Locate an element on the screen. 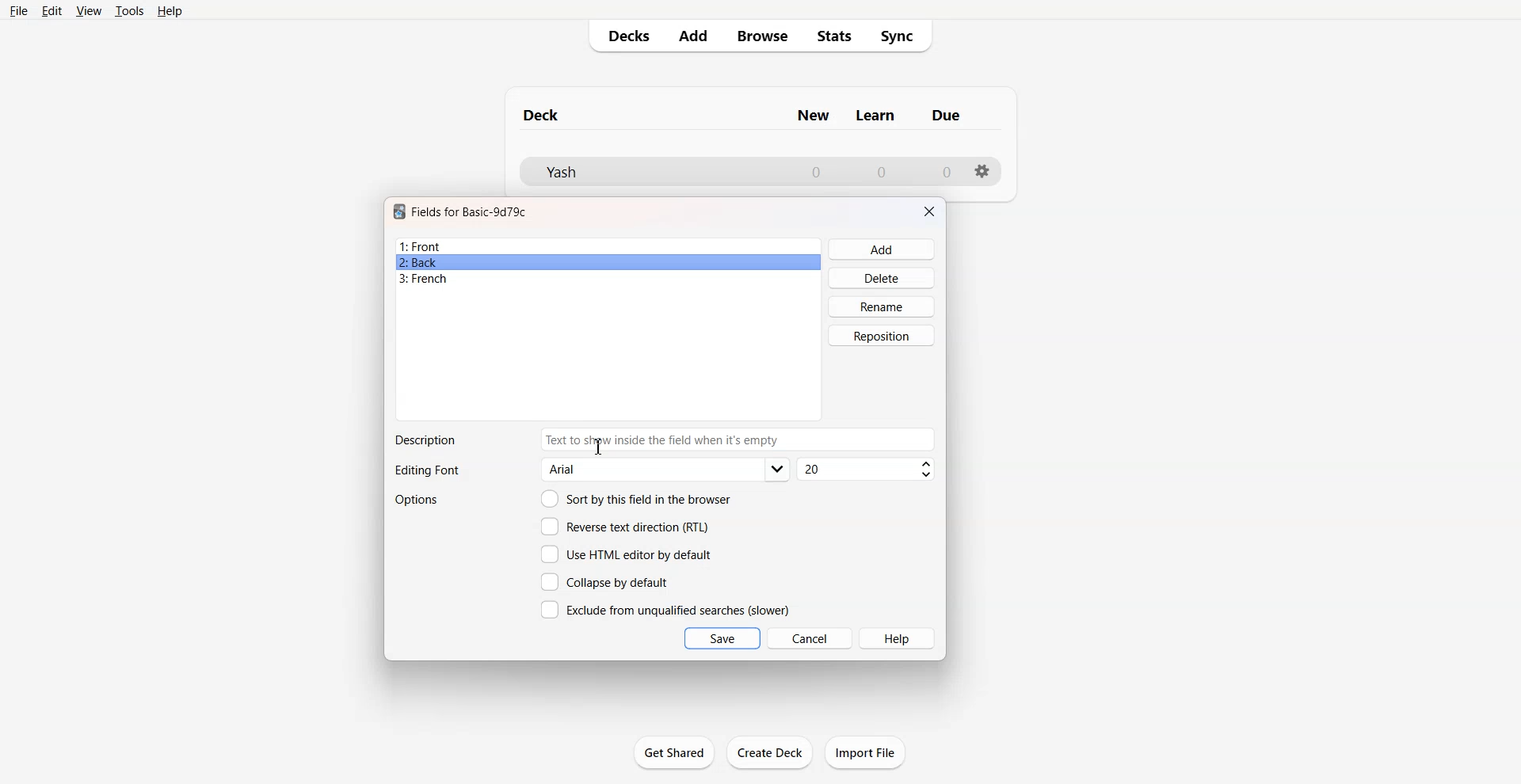 The width and height of the screenshot is (1521, 784). Sort by this field in the browser is located at coordinates (636, 498).